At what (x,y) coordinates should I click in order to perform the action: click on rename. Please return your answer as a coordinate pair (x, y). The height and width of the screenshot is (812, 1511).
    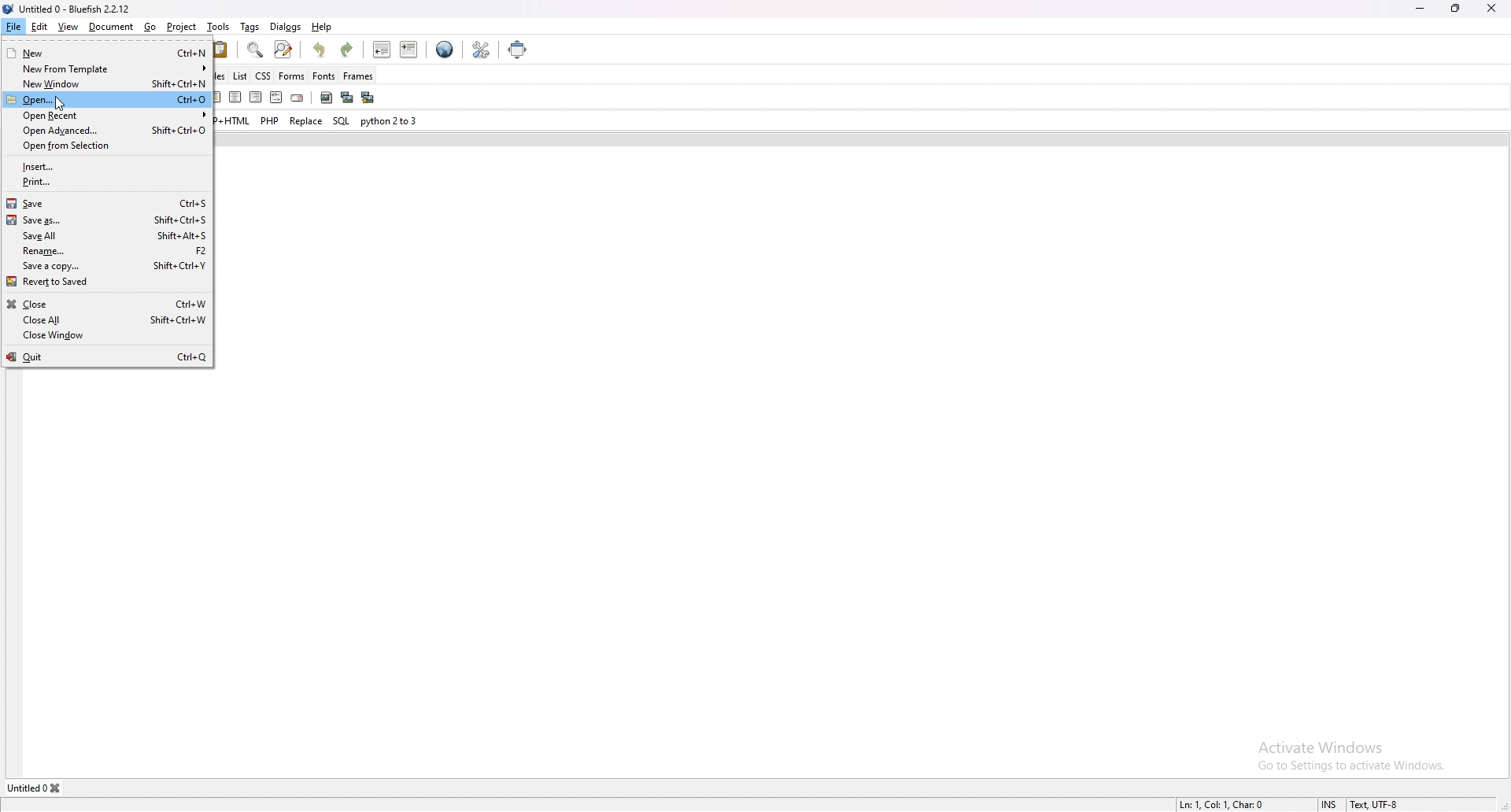
    Looking at the image, I should click on (65, 249).